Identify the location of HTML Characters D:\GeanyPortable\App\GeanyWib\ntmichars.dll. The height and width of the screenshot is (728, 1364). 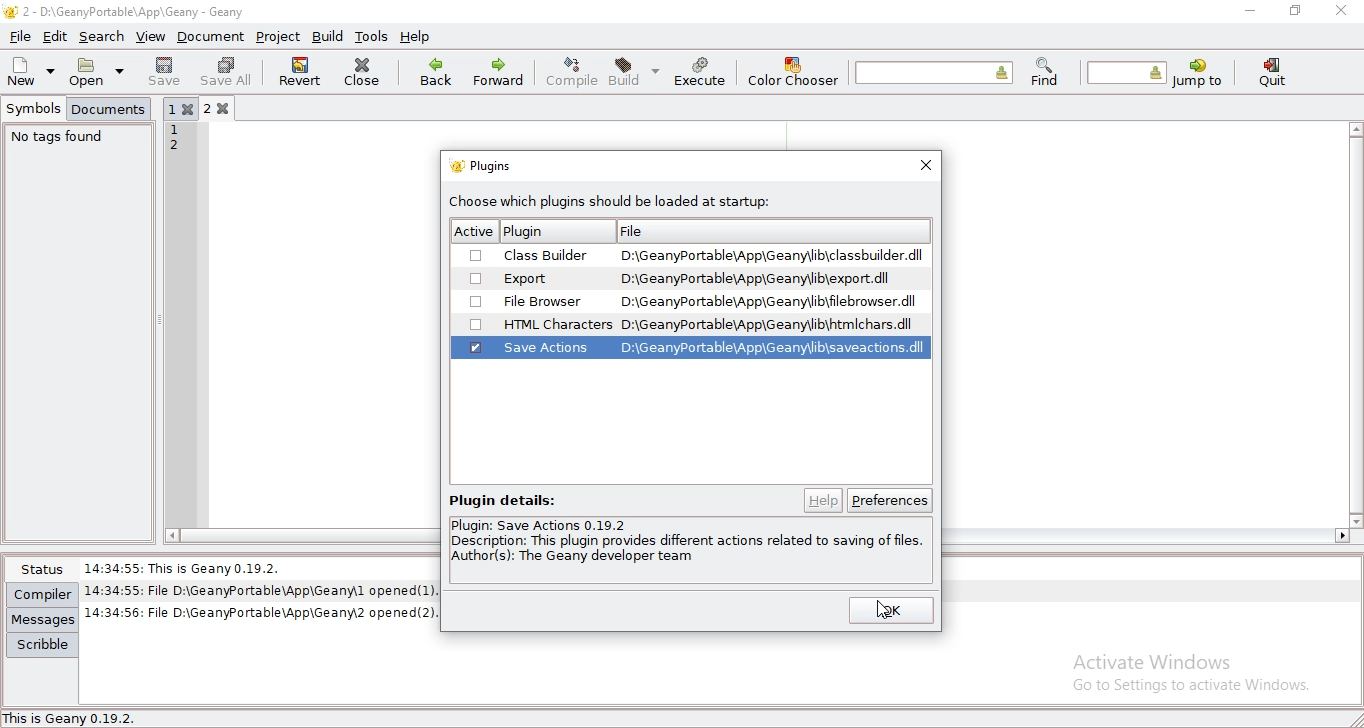
(692, 327).